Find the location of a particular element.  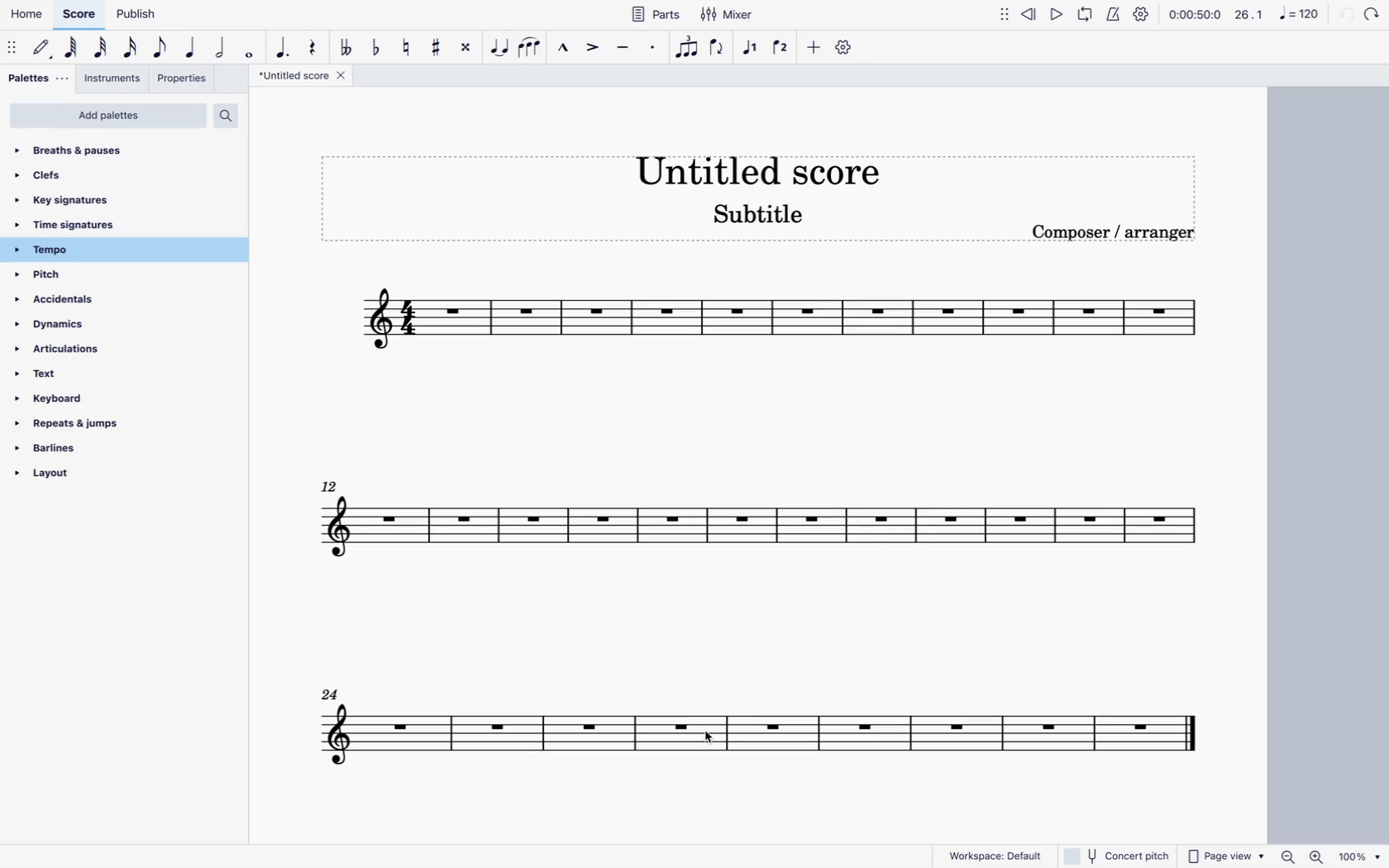

tie is located at coordinates (496, 50).